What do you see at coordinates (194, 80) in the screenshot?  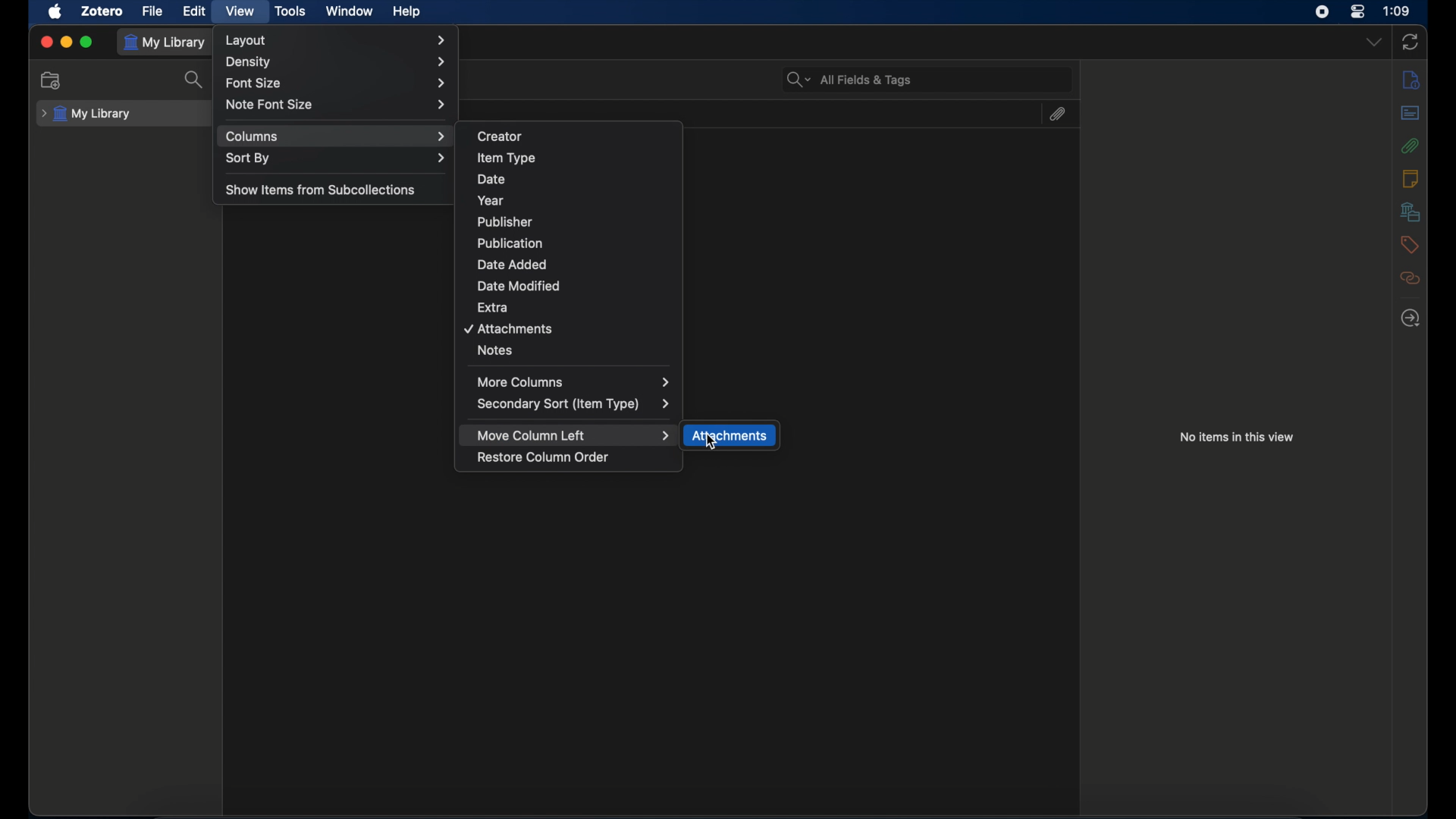 I see `search` at bounding box center [194, 80].